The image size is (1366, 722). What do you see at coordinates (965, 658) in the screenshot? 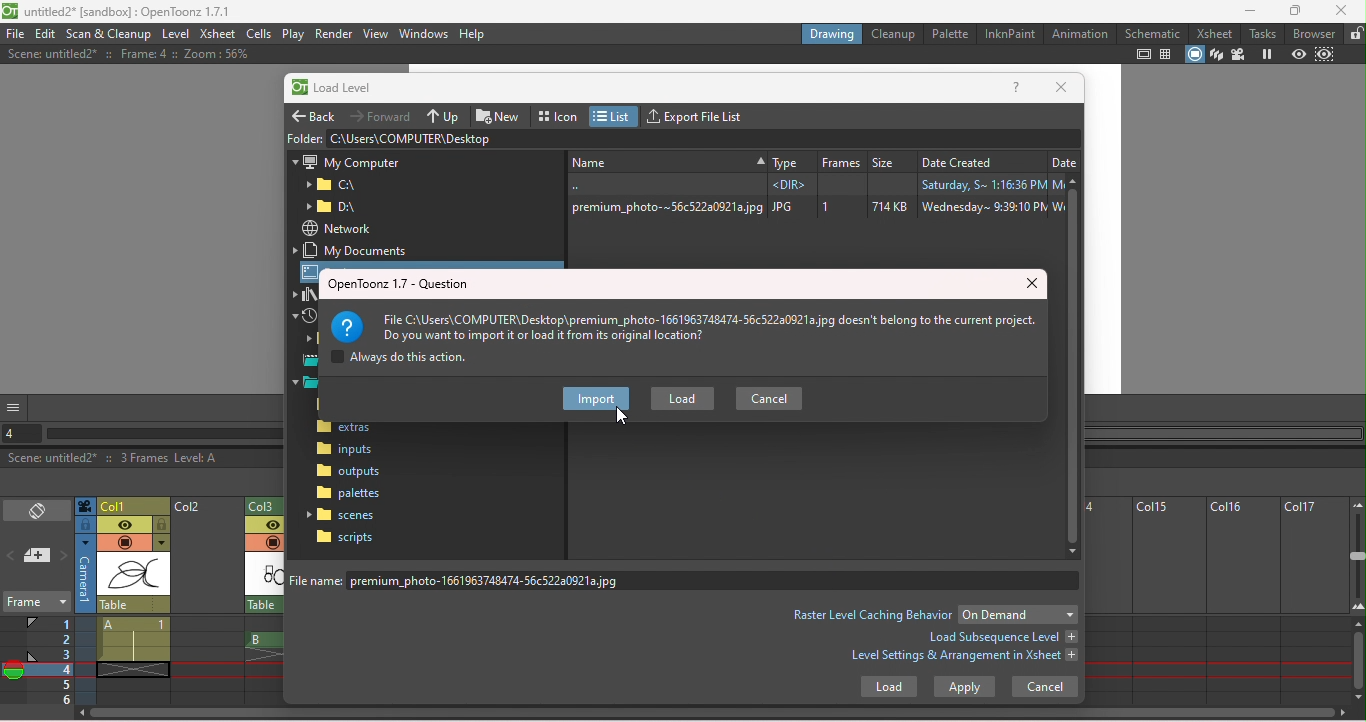
I see `Level settings & Arrangement in Xsheet` at bounding box center [965, 658].